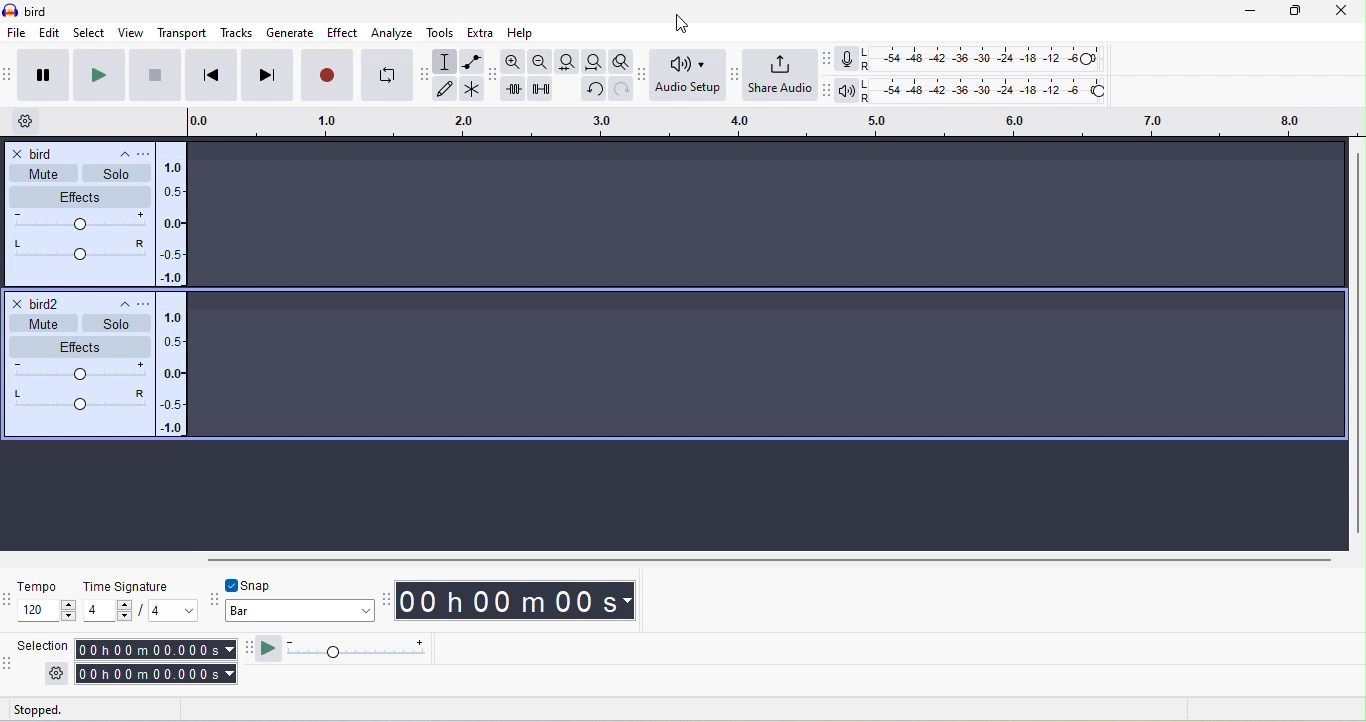  What do you see at coordinates (117, 171) in the screenshot?
I see `solo` at bounding box center [117, 171].